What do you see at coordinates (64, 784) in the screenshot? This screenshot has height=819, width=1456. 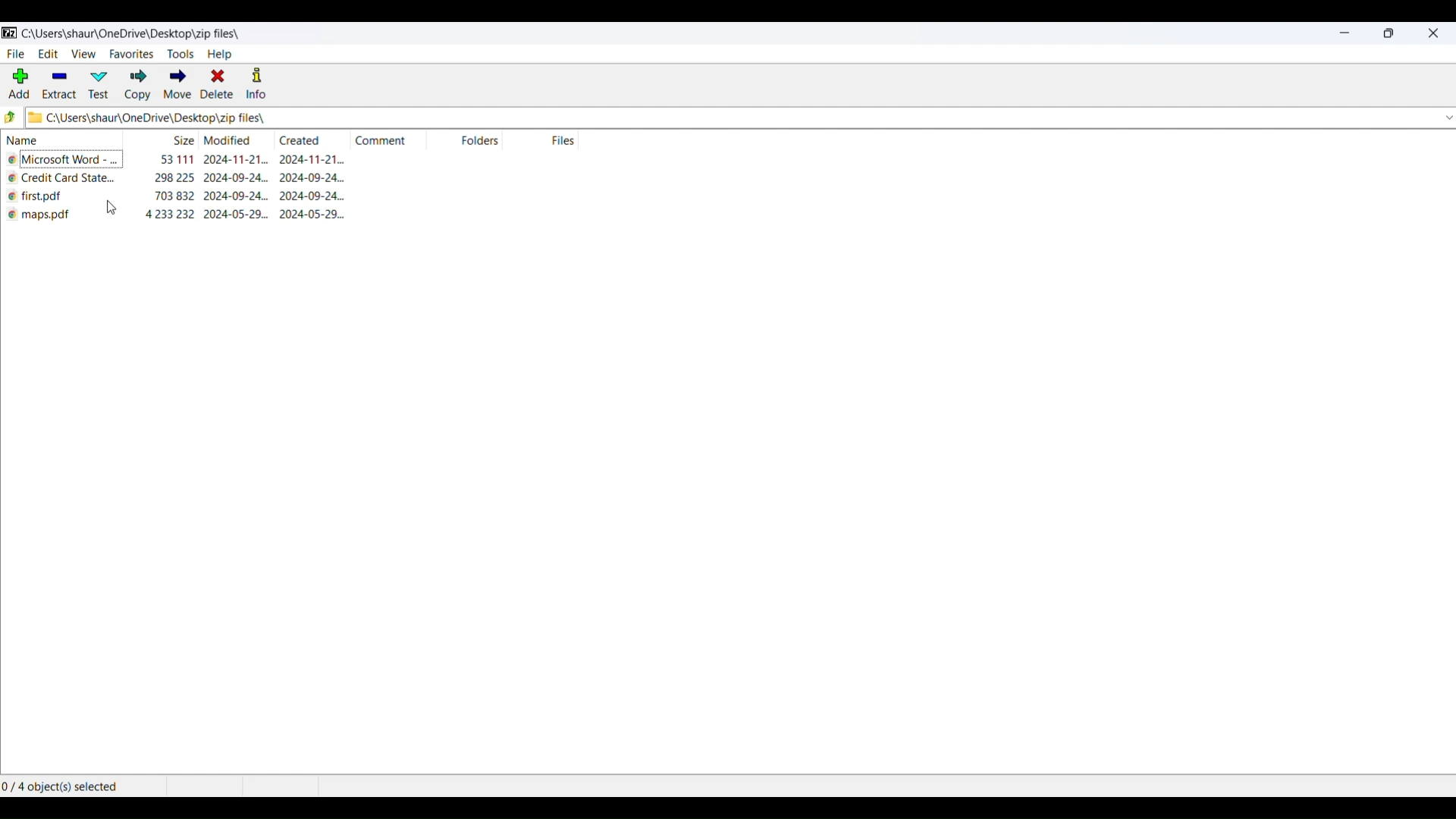 I see `0/ 4 object(s) selected` at bounding box center [64, 784].